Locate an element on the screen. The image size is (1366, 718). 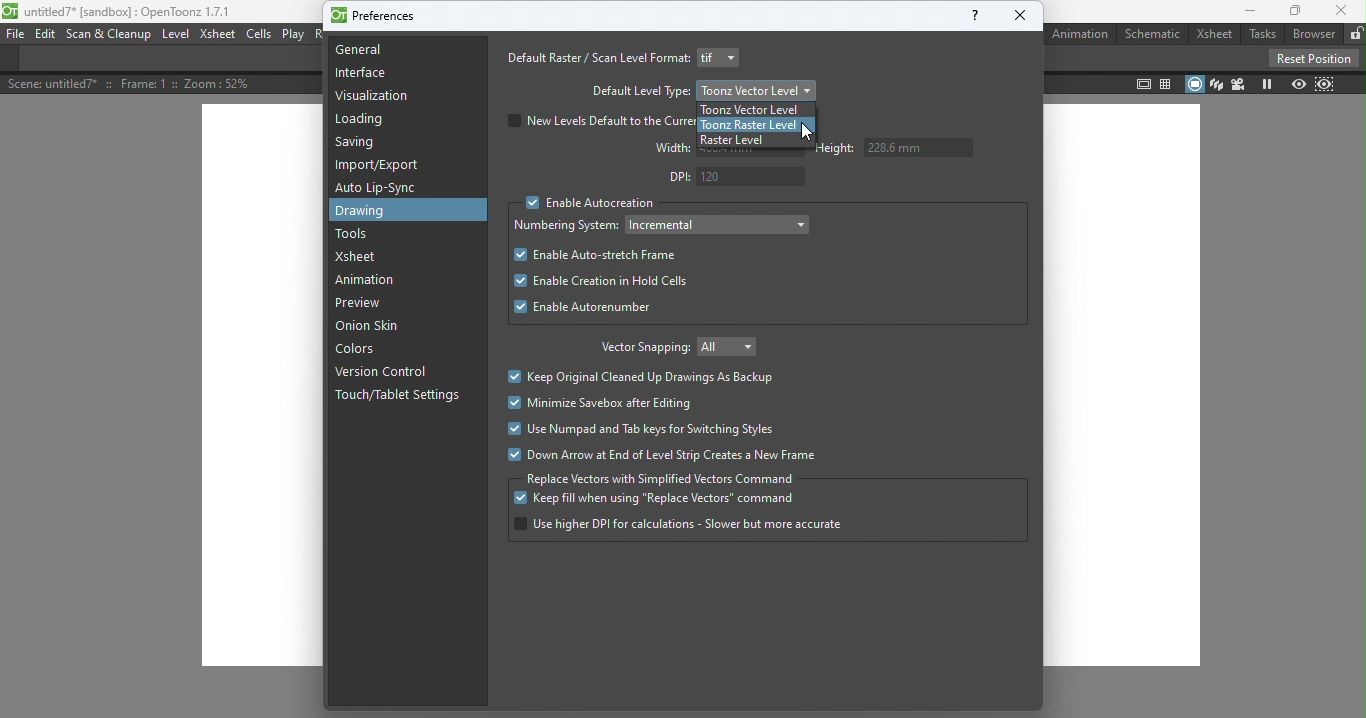
File name is located at coordinates (131, 11).